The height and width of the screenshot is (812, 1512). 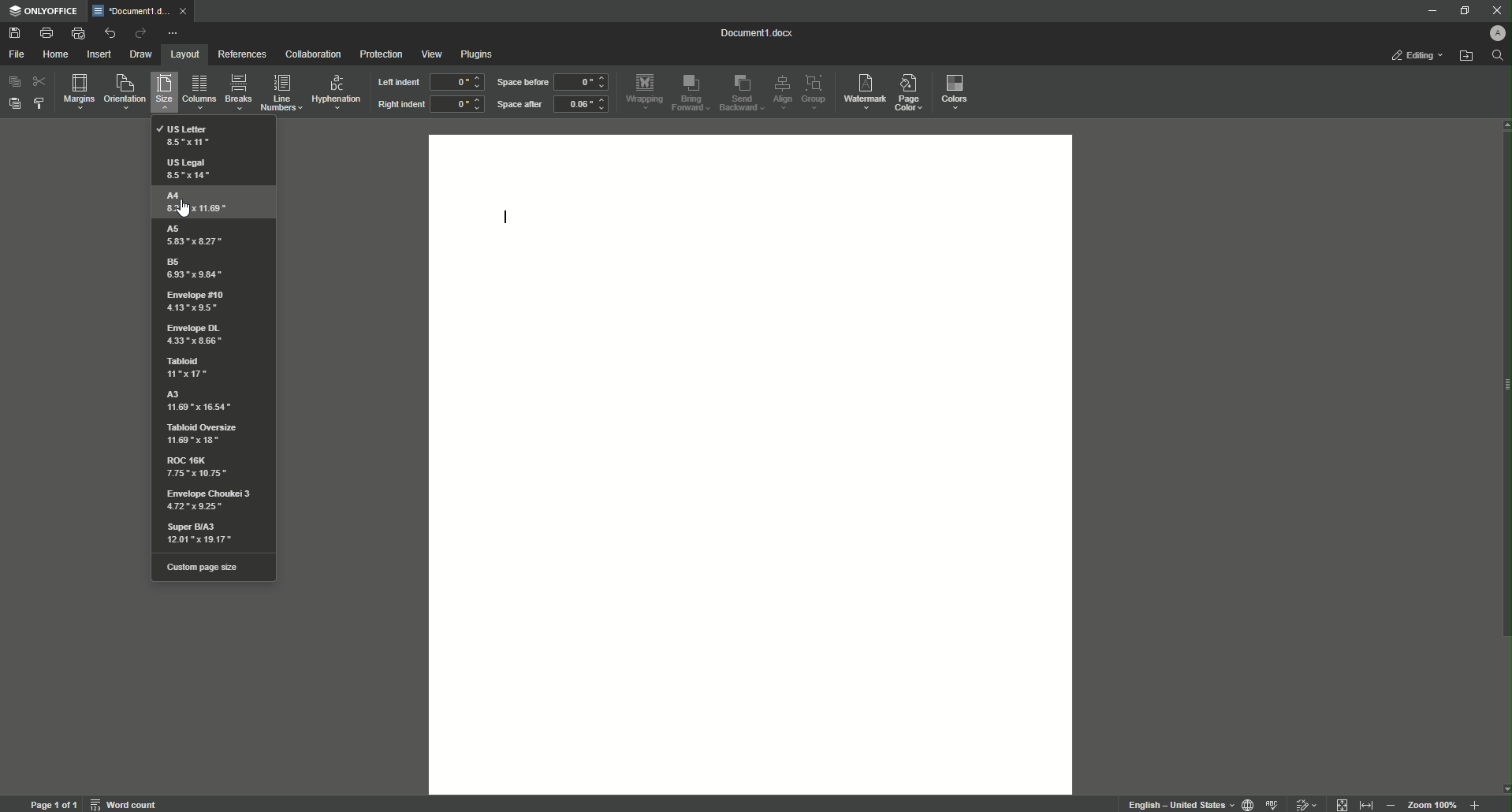 I want to click on Watermark, so click(x=865, y=91).